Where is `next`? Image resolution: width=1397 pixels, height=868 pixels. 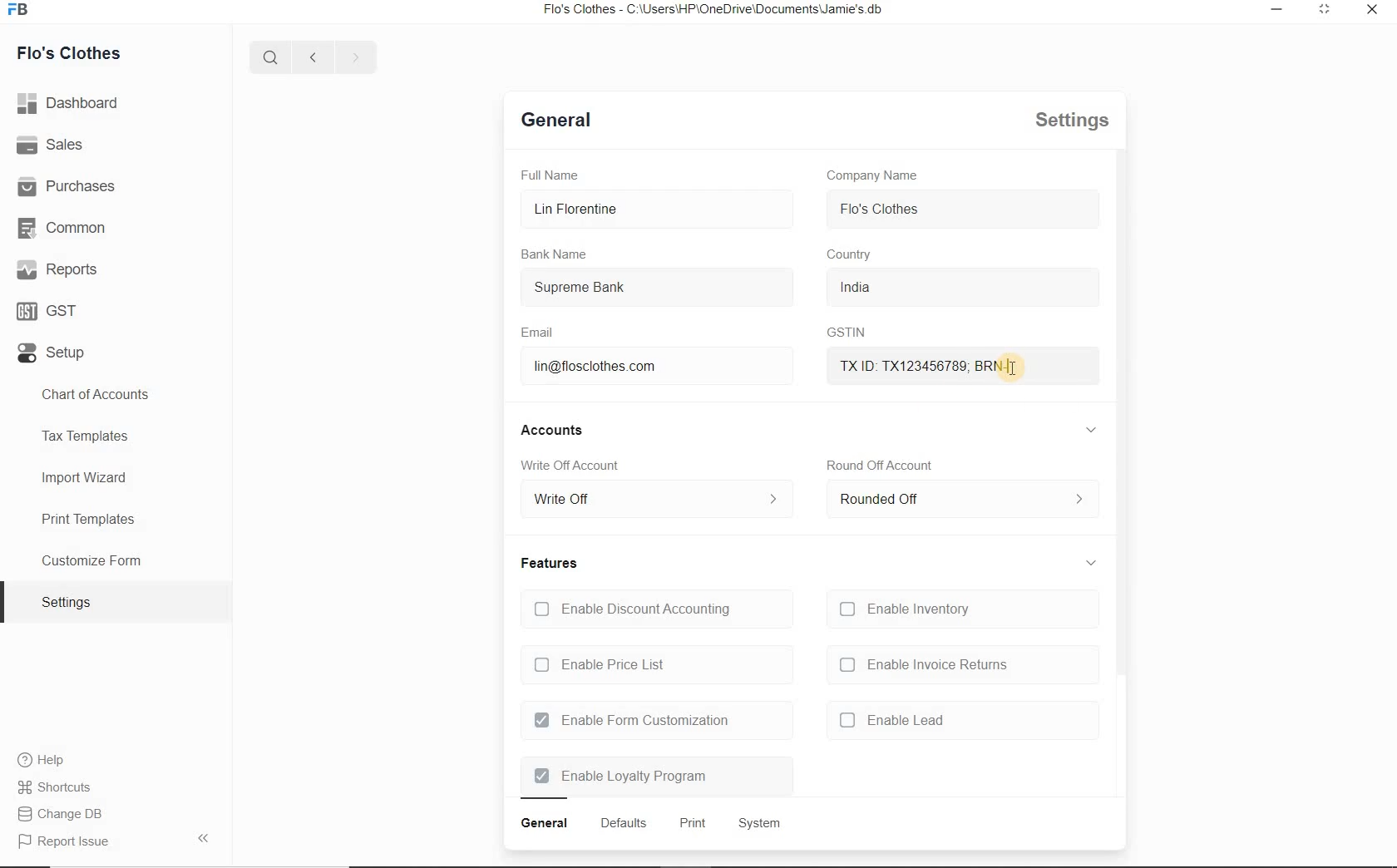
next is located at coordinates (353, 57).